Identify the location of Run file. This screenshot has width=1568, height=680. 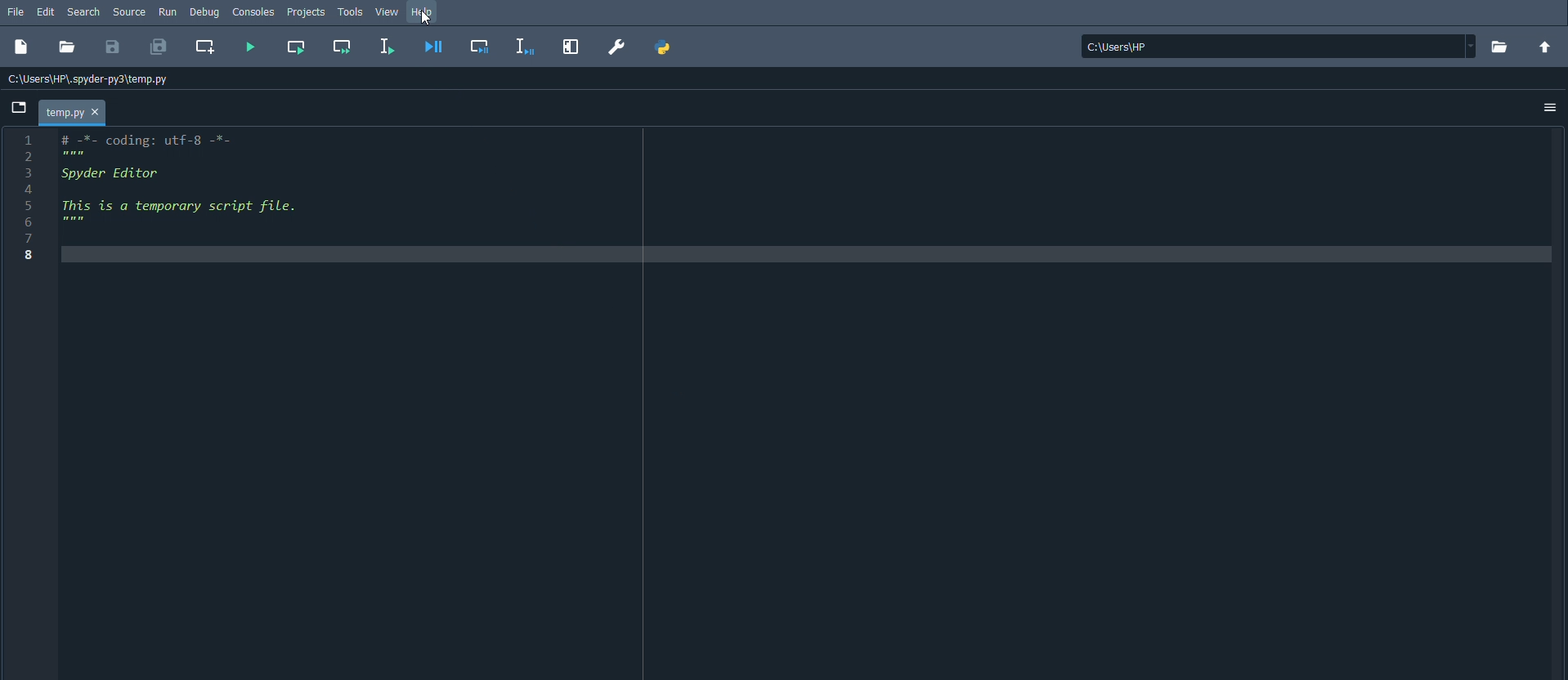
(250, 45).